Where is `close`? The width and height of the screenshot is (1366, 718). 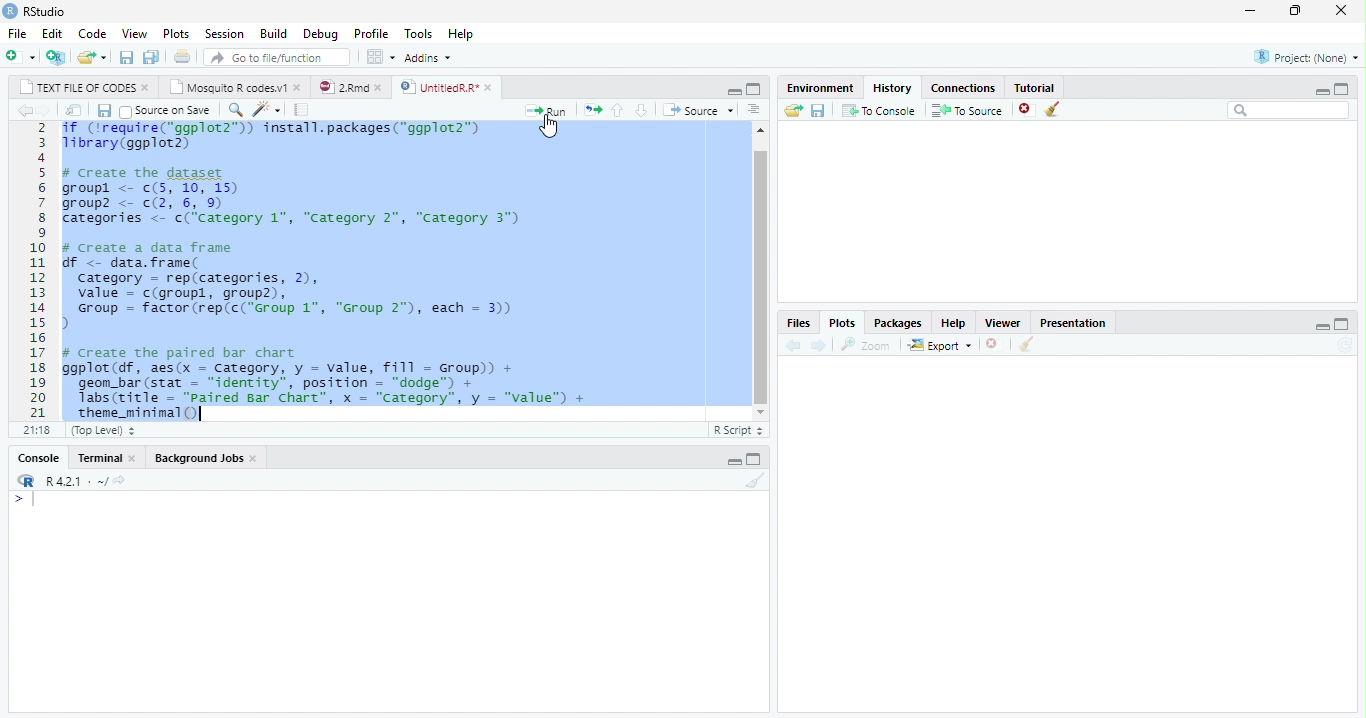
close is located at coordinates (489, 88).